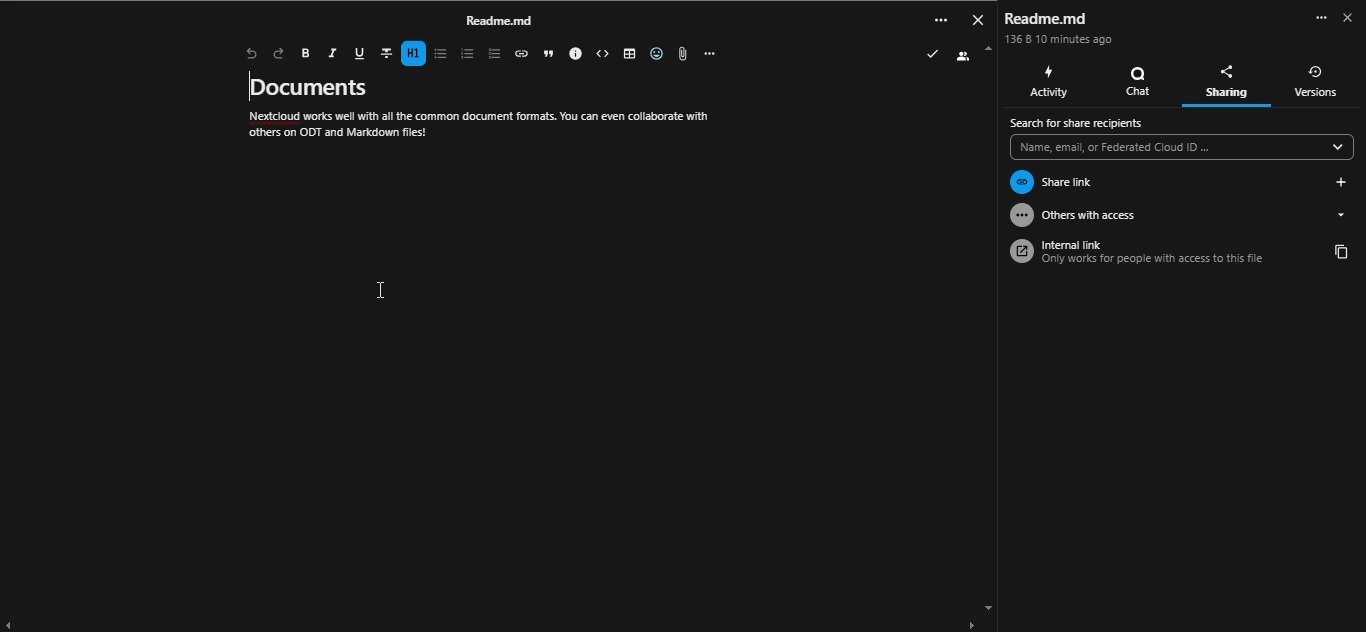 The height and width of the screenshot is (632, 1366). I want to click on Search for share recipients, so click(1079, 123).